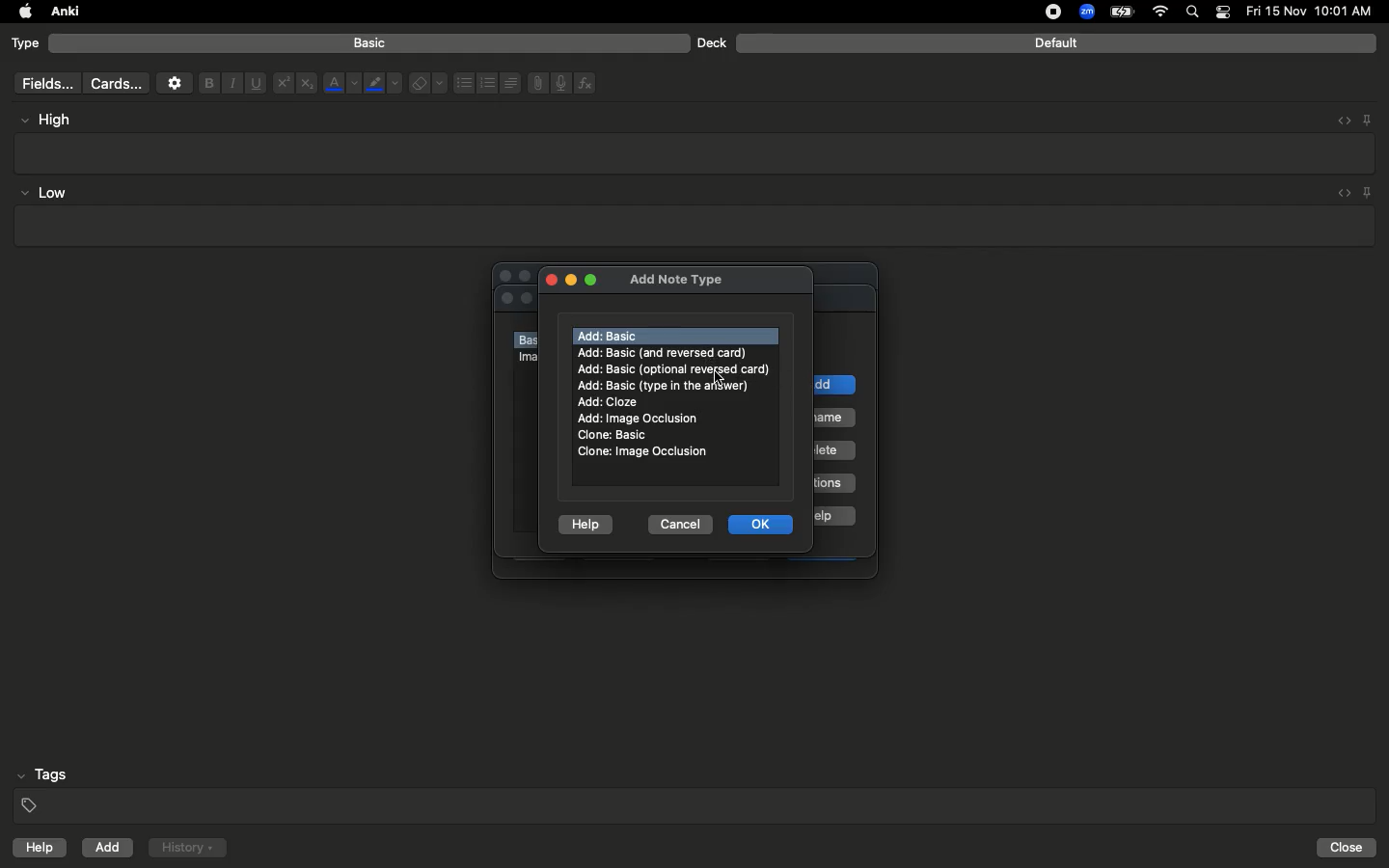 Image resolution: width=1389 pixels, height=868 pixels. What do you see at coordinates (43, 83) in the screenshot?
I see `Fields` at bounding box center [43, 83].